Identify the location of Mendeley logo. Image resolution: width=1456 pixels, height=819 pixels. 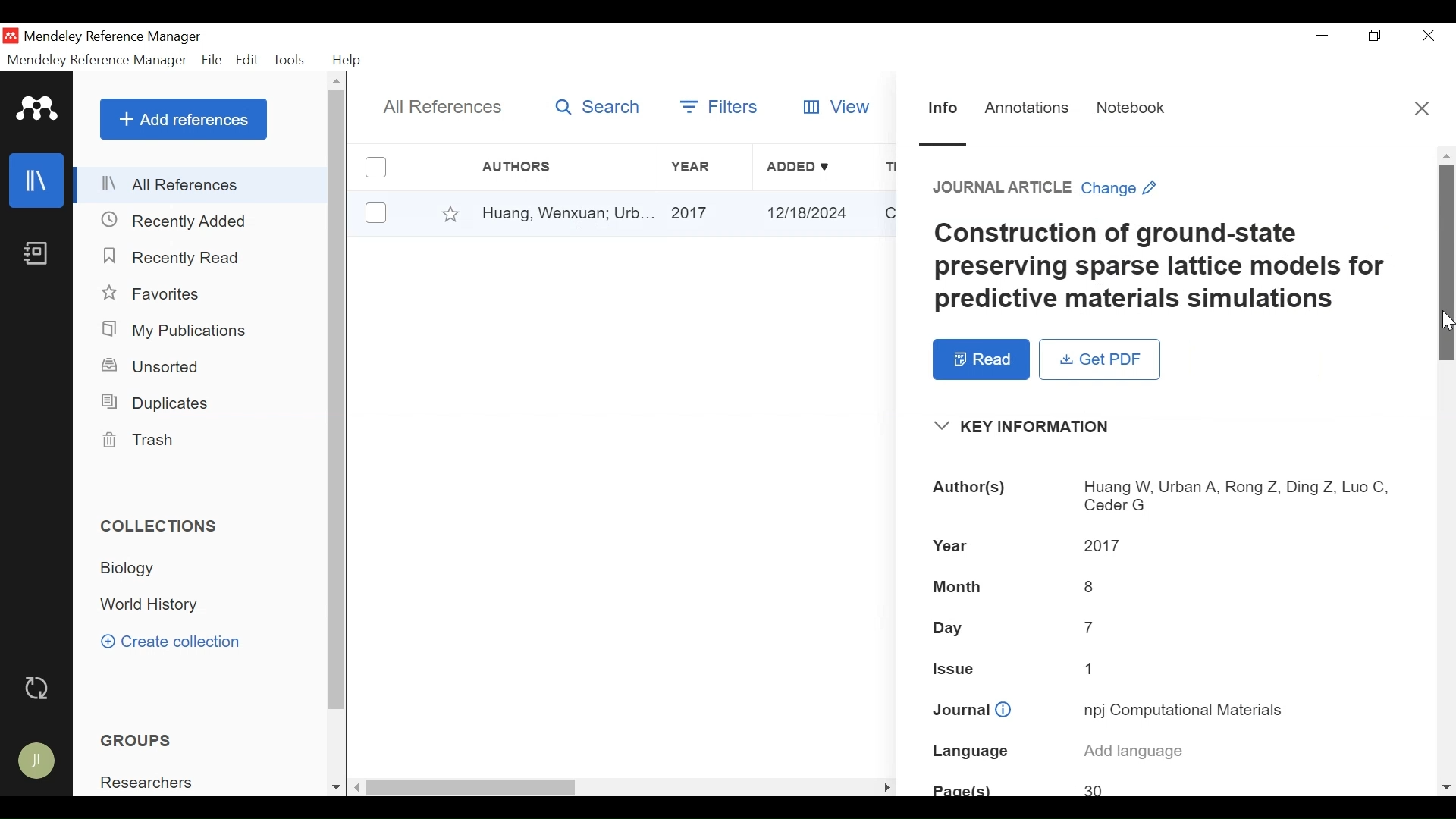
(37, 109).